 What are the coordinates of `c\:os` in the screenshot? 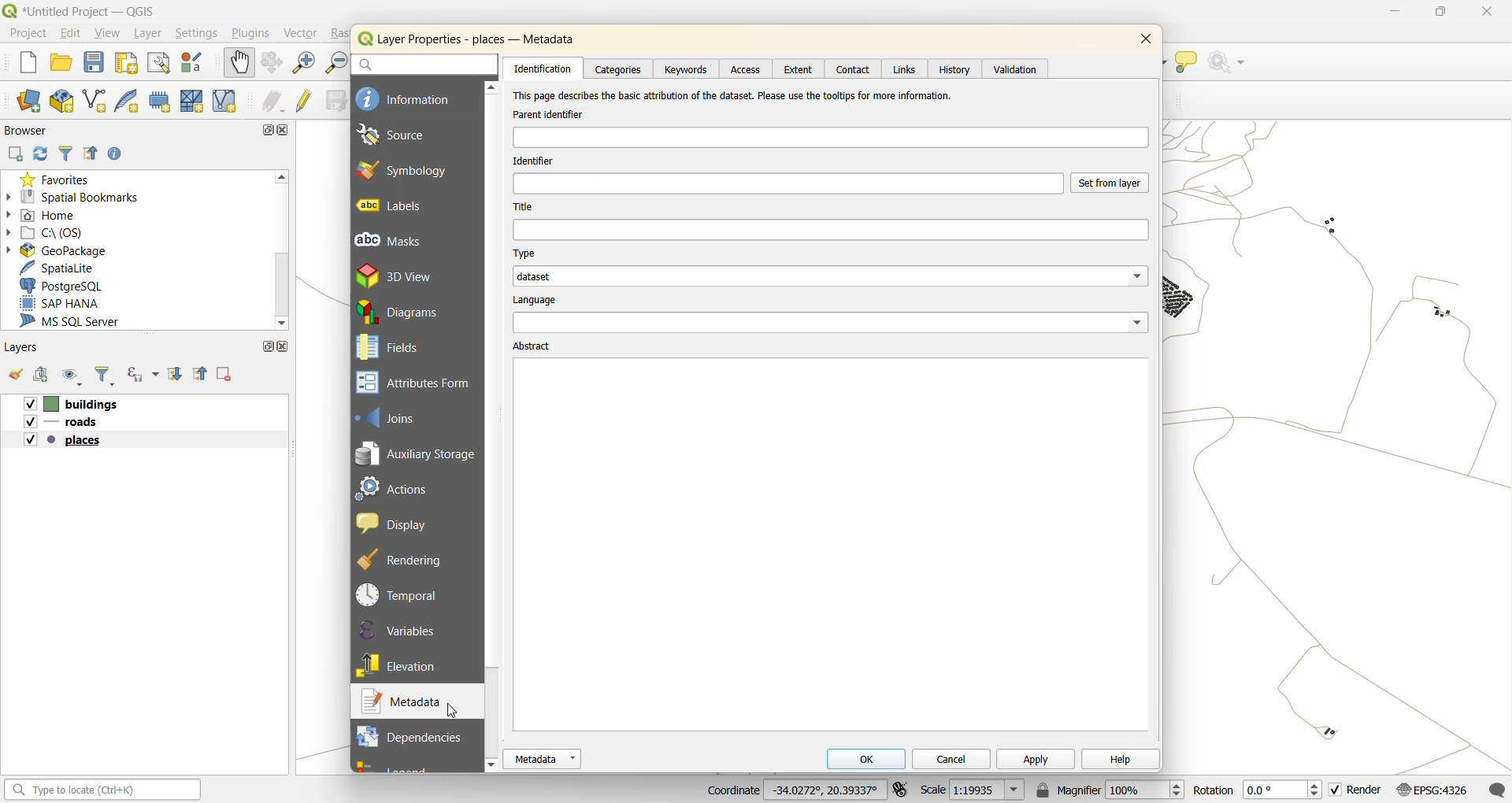 It's located at (64, 231).